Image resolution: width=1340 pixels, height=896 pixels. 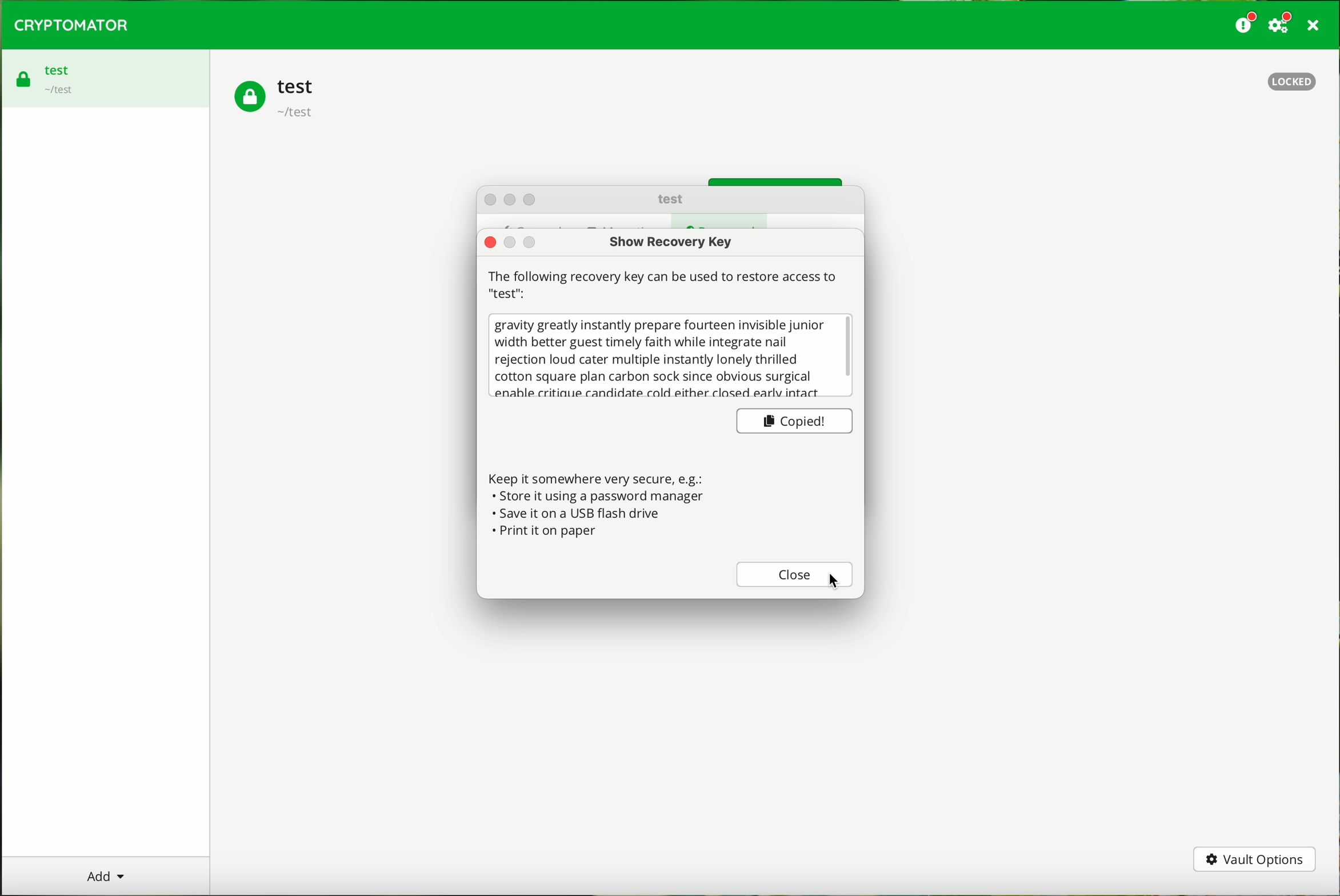 I want to click on test vault, so click(x=278, y=99).